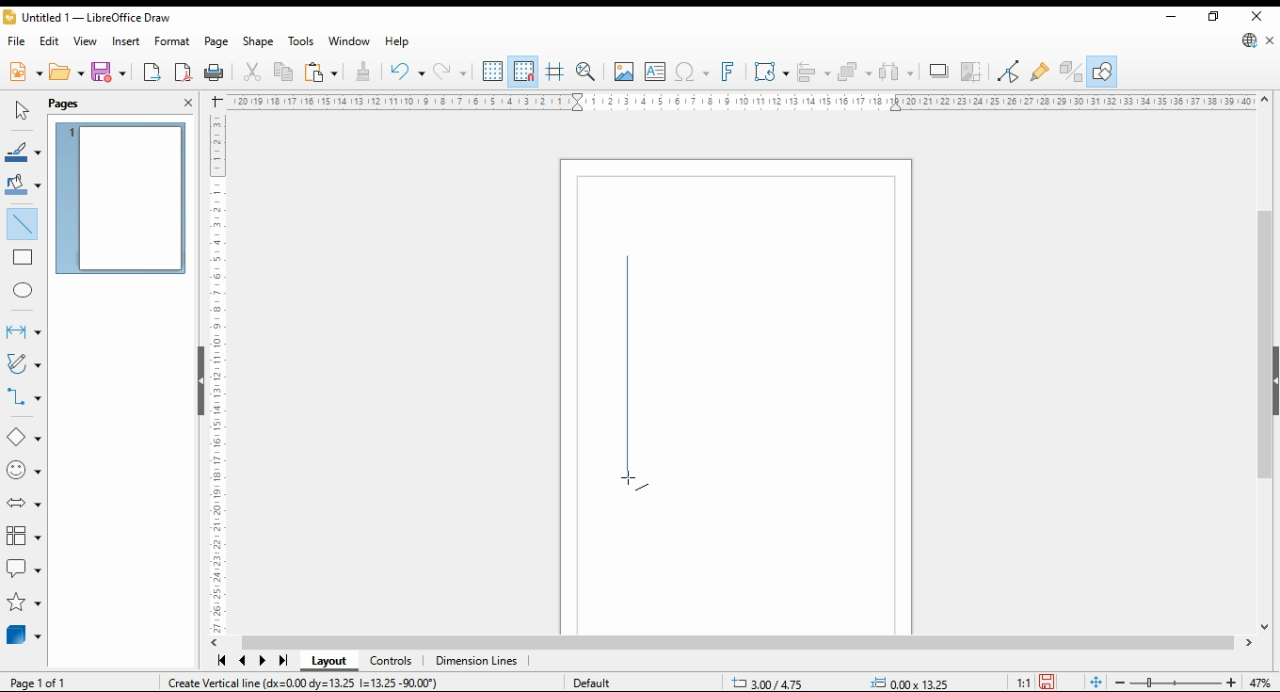  What do you see at coordinates (183, 72) in the screenshot?
I see `export as pdf` at bounding box center [183, 72].